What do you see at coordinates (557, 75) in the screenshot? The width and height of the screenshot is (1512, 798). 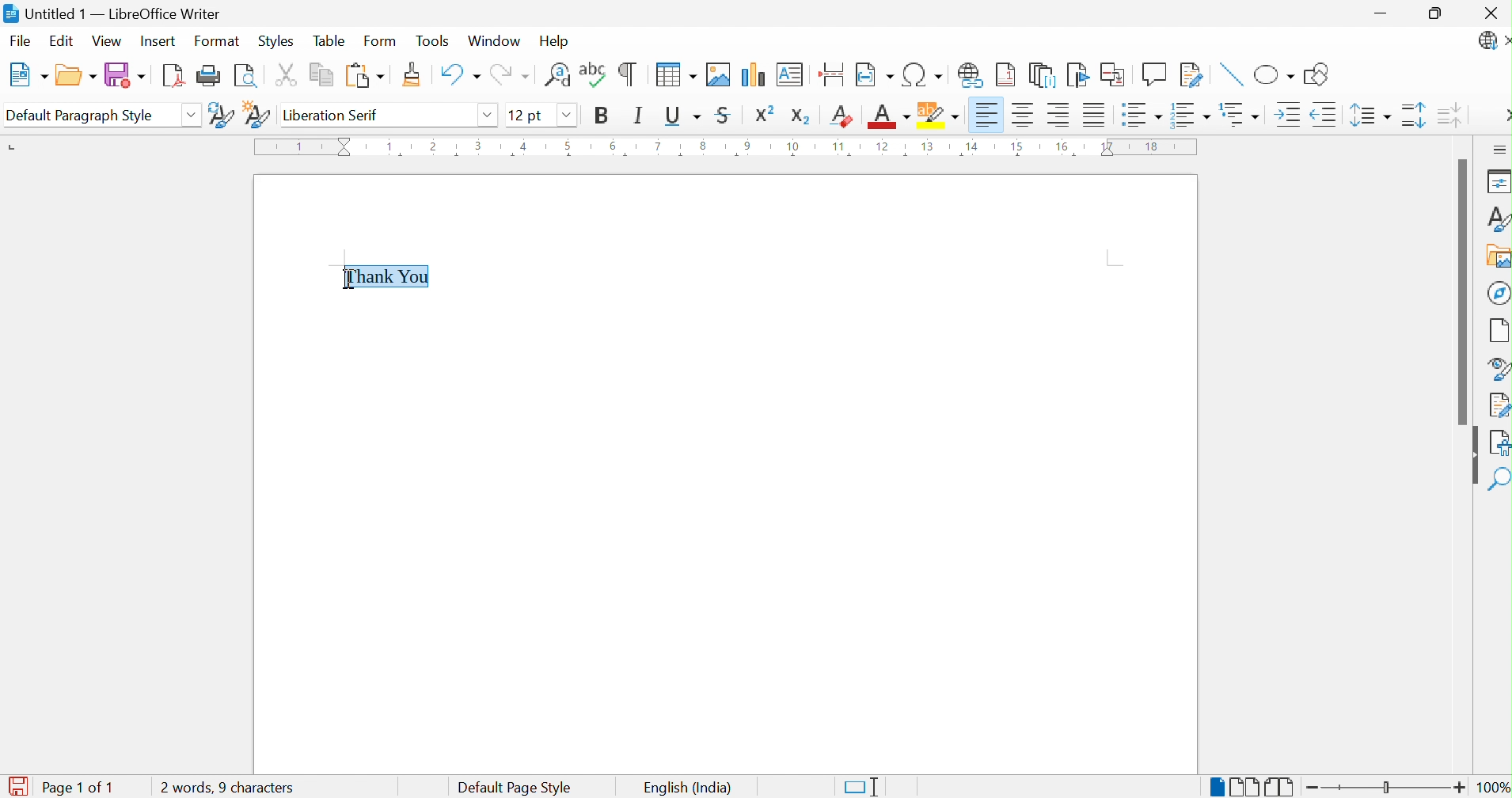 I see `Find and Replace` at bounding box center [557, 75].